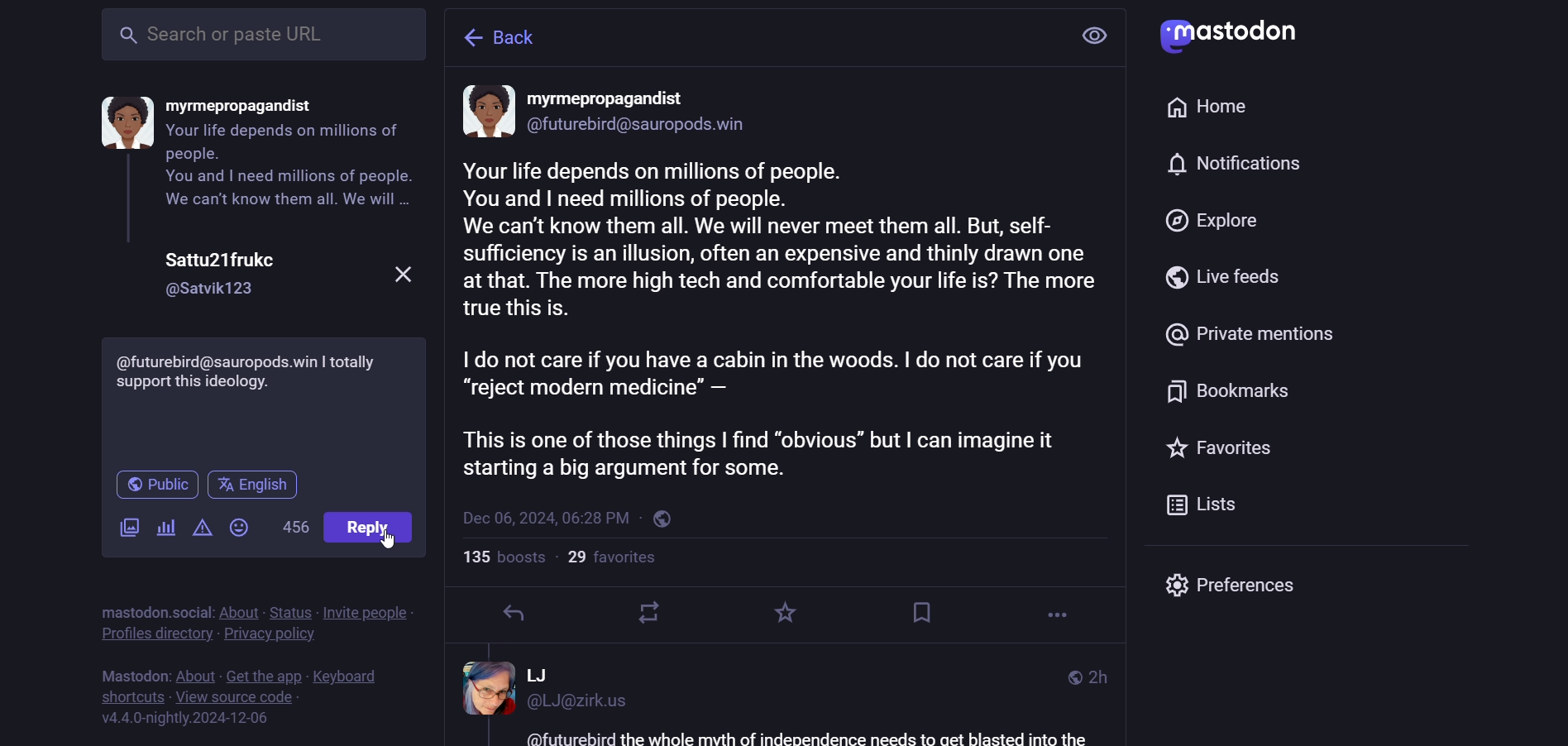 This screenshot has width=1568, height=746. I want to click on words left, so click(294, 528).